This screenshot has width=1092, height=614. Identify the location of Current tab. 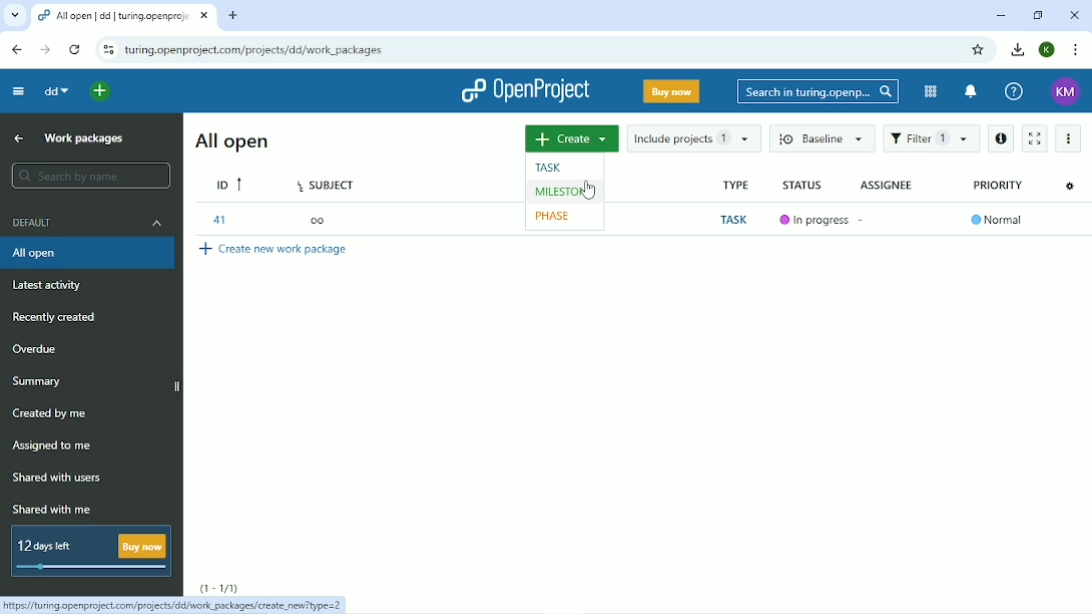
(124, 16).